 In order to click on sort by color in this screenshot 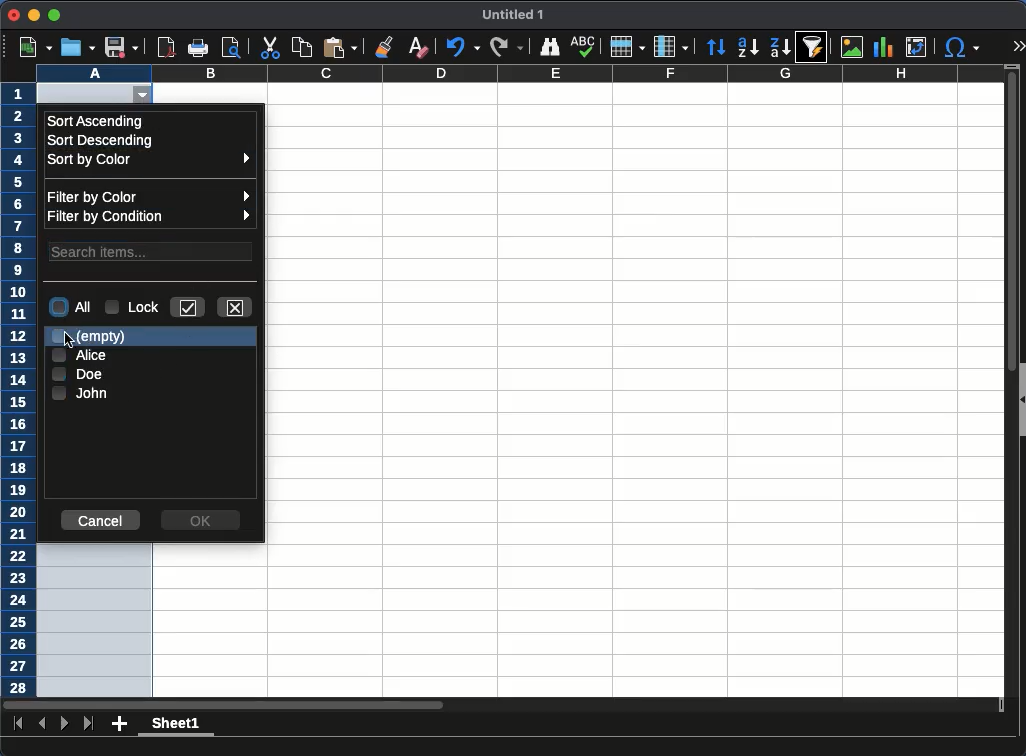, I will do `click(153, 161)`.